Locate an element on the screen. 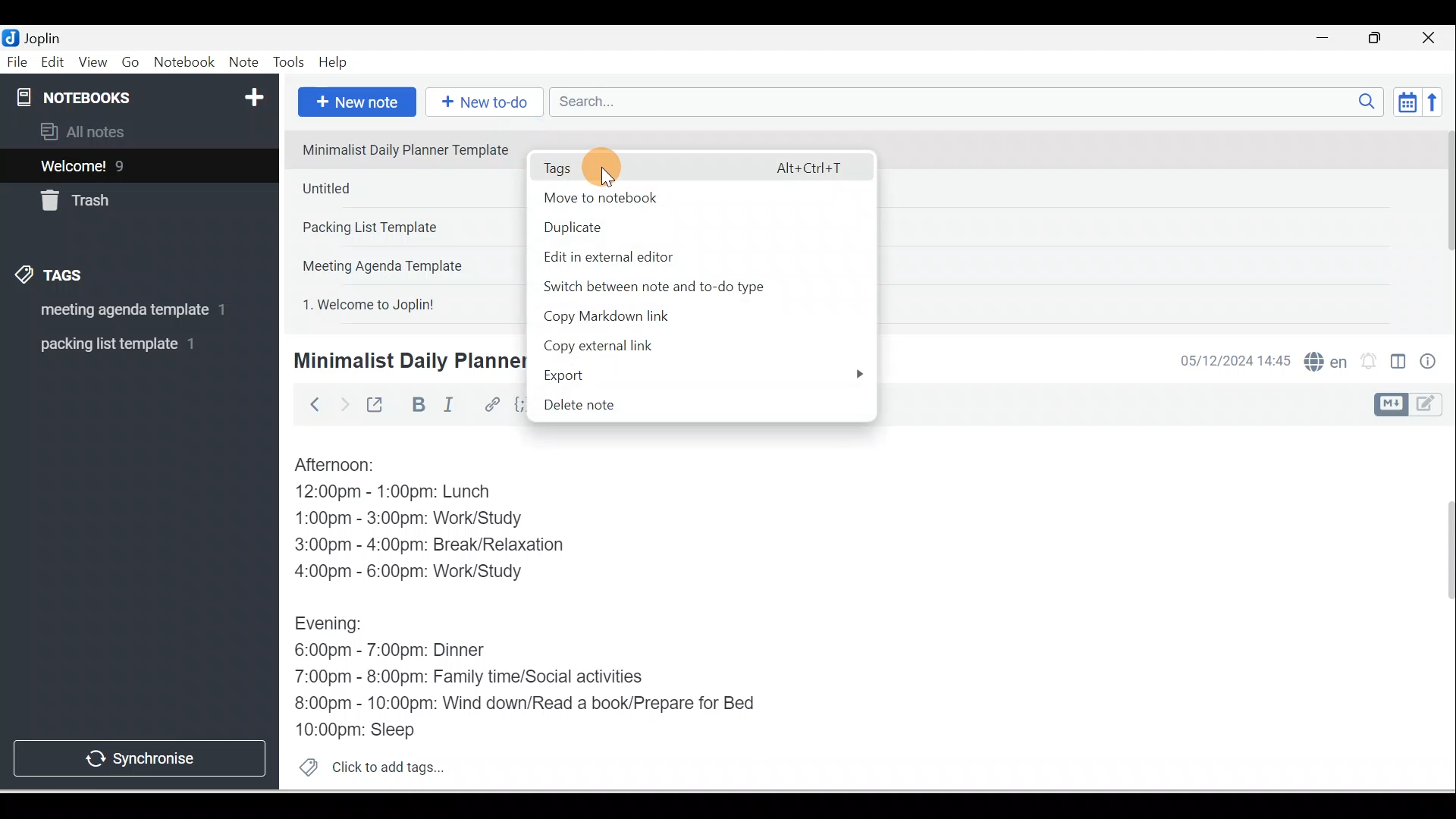 The height and width of the screenshot is (819, 1456). Edit in external editor is located at coordinates (691, 256).